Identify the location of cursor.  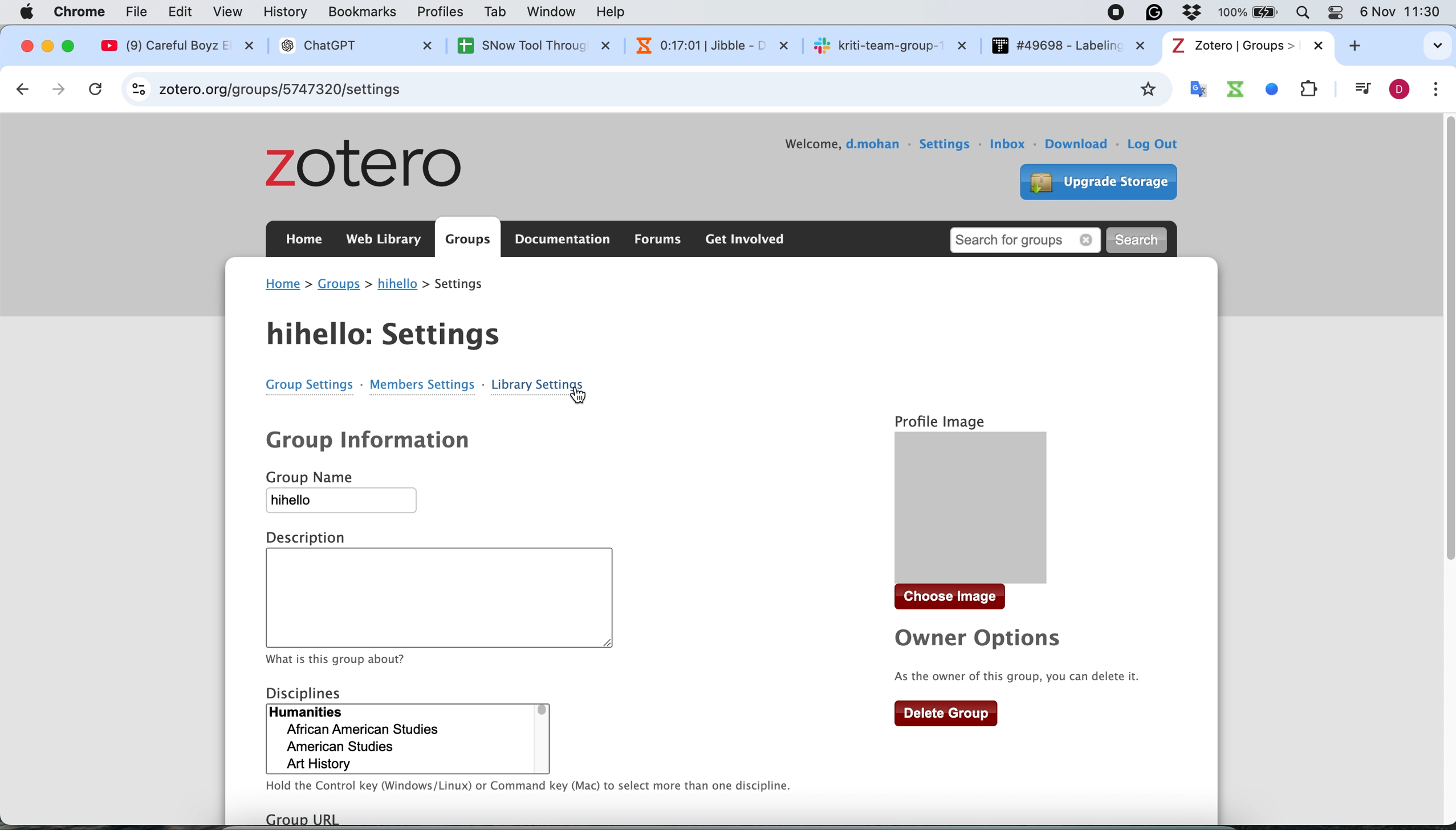
(574, 401).